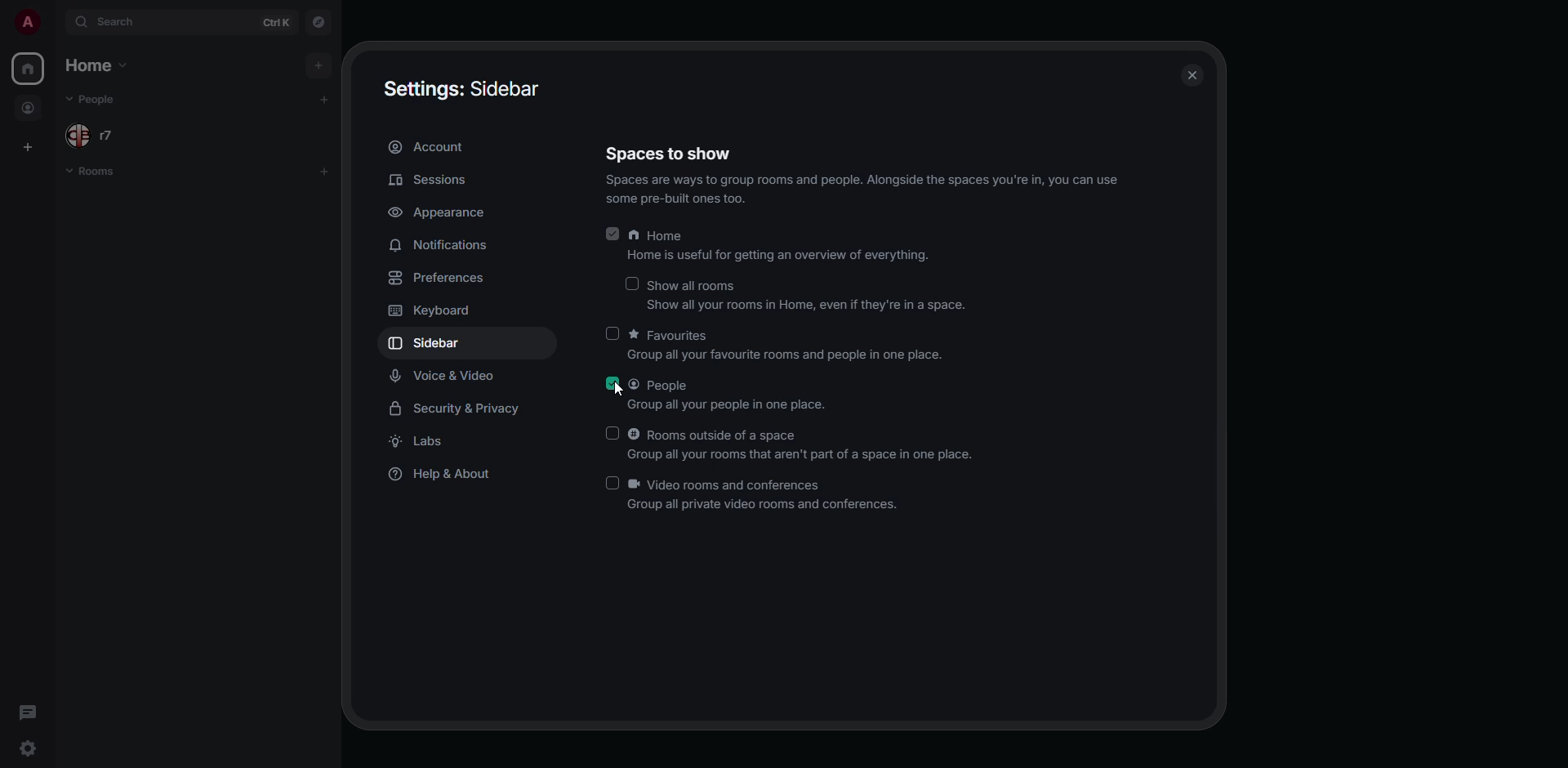  What do you see at coordinates (444, 378) in the screenshot?
I see `voice & video` at bounding box center [444, 378].